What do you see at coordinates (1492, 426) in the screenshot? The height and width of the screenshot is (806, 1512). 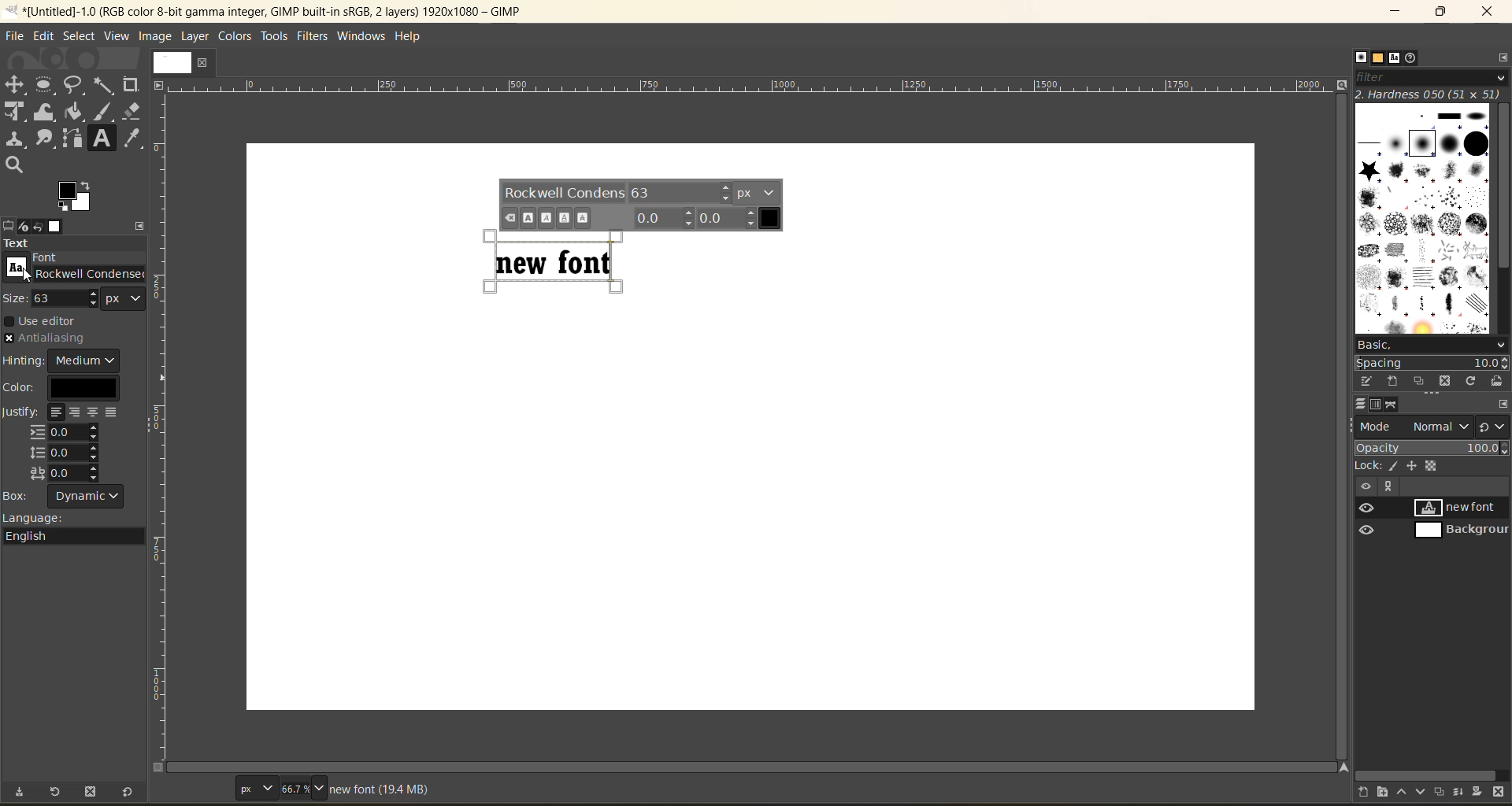 I see `switch` at bounding box center [1492, 426].